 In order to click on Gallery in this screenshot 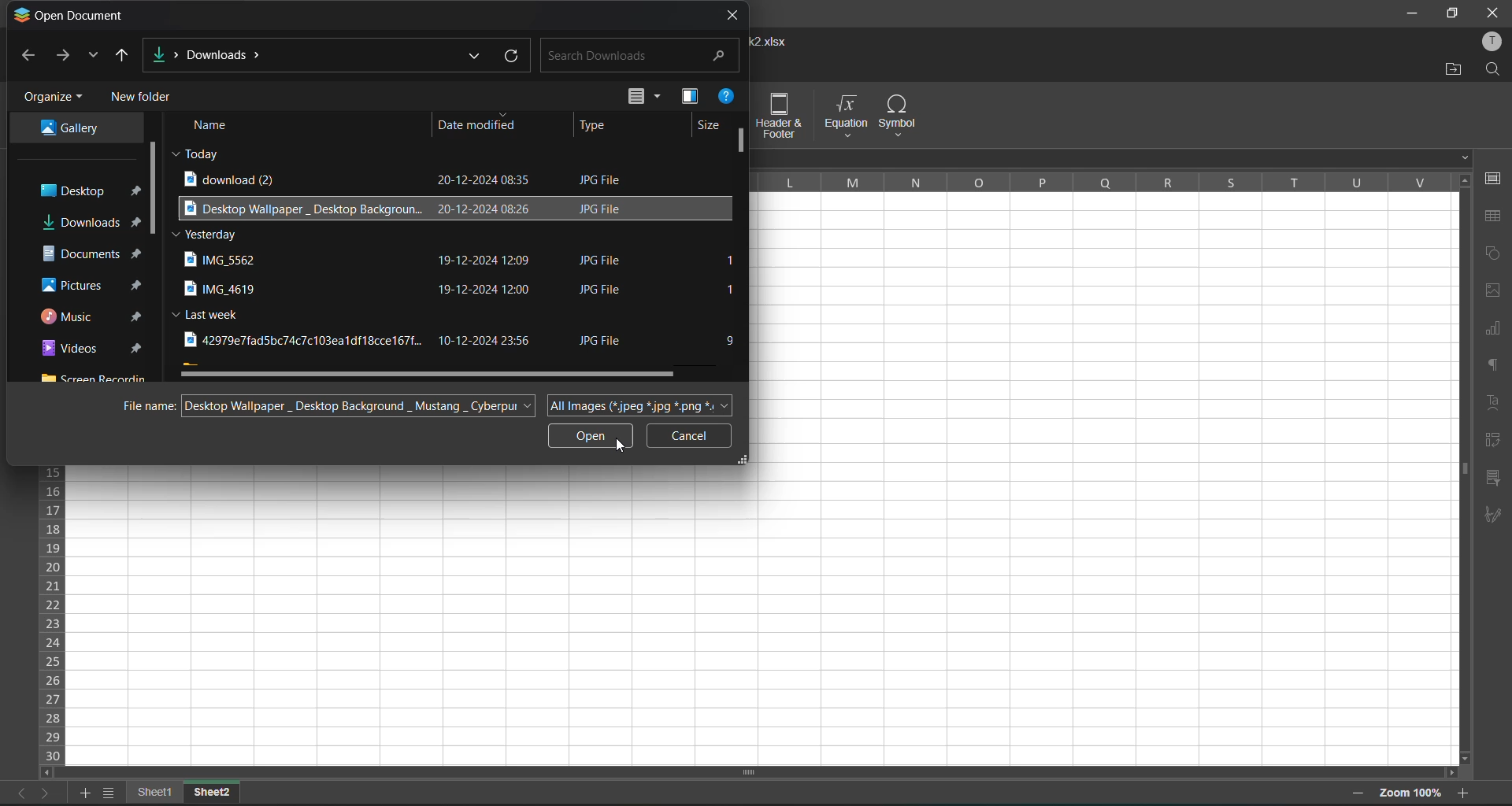, I will do `click(77, 128)`.